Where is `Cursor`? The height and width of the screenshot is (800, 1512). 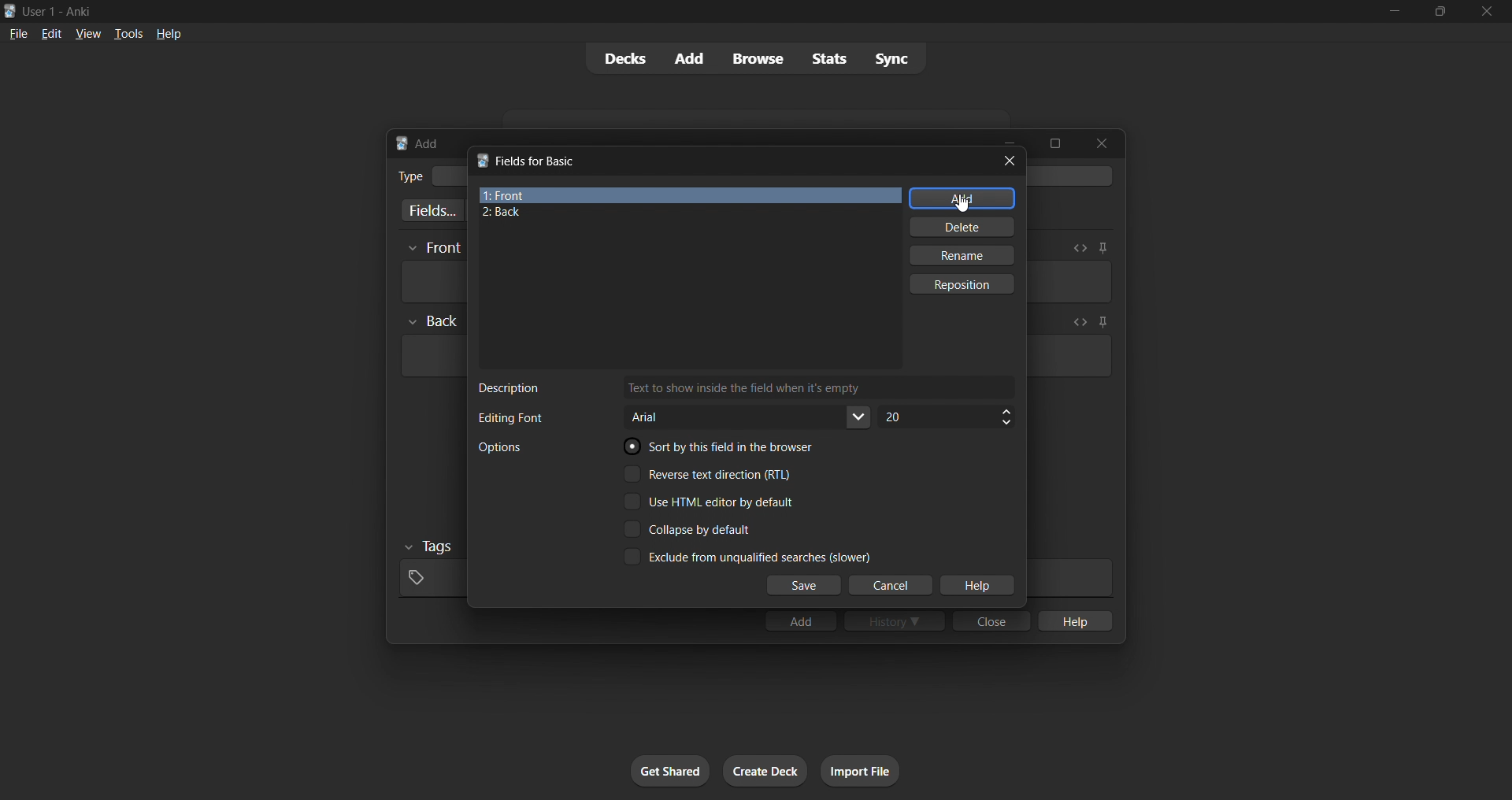 Cursor is located at coordinates (961, 203).